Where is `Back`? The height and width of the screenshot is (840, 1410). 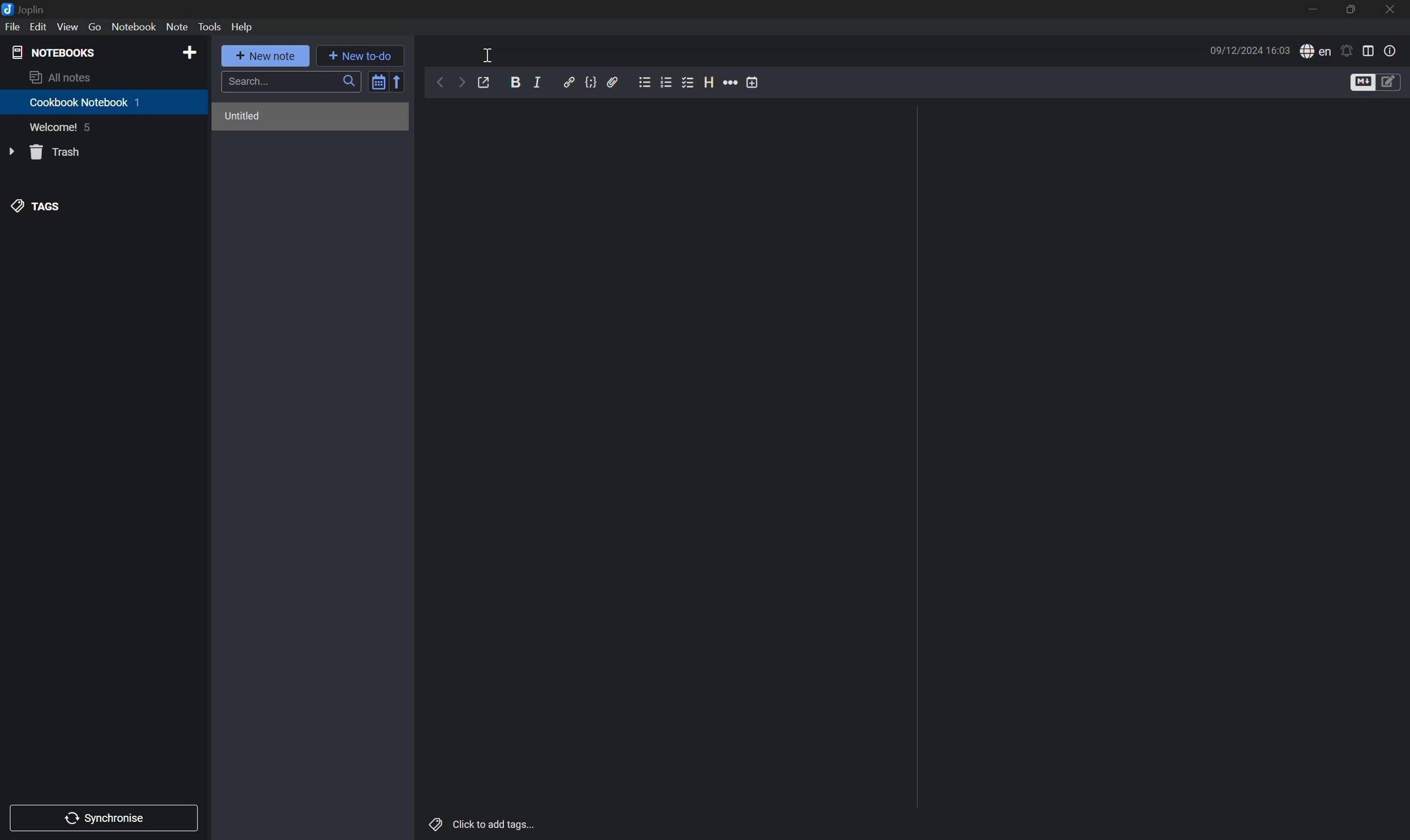
Back is located at coordinates (439, 83).